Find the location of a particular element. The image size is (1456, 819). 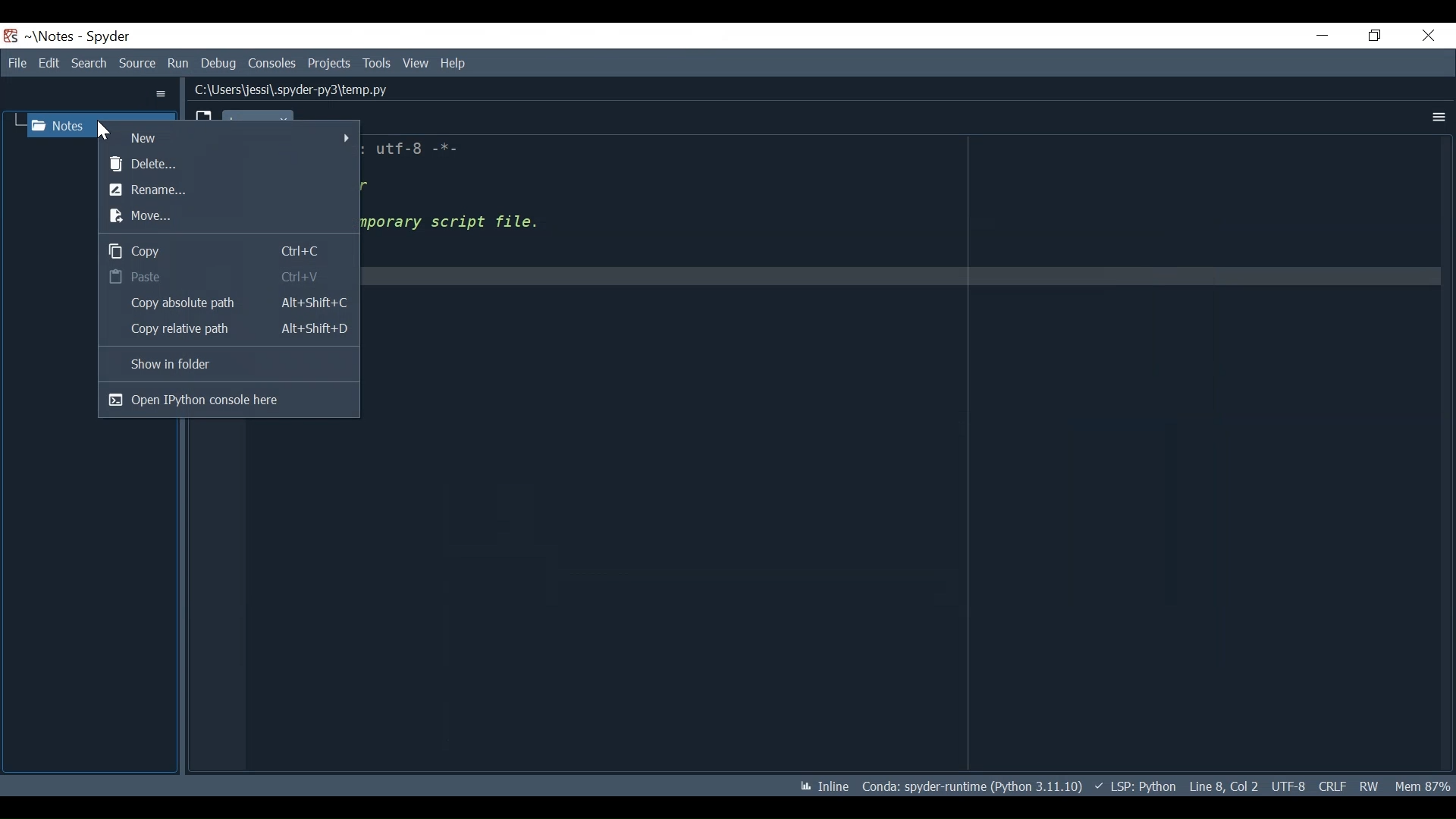

Delete is located at coordinates (229, 163).